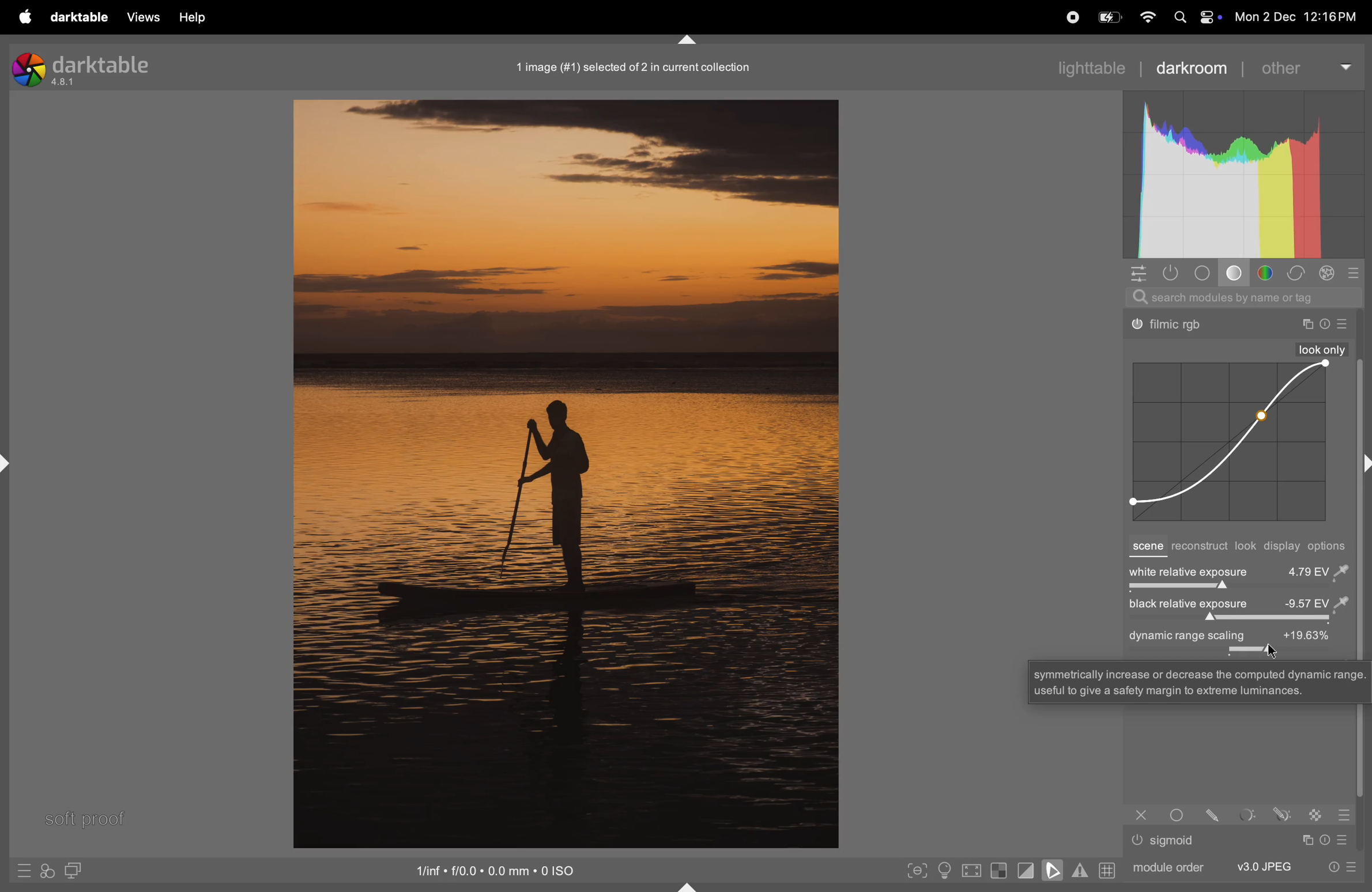 Image resolution: width=1372 pixels, height=892 pixels. I want to click on cursor, so click(1272, 650).